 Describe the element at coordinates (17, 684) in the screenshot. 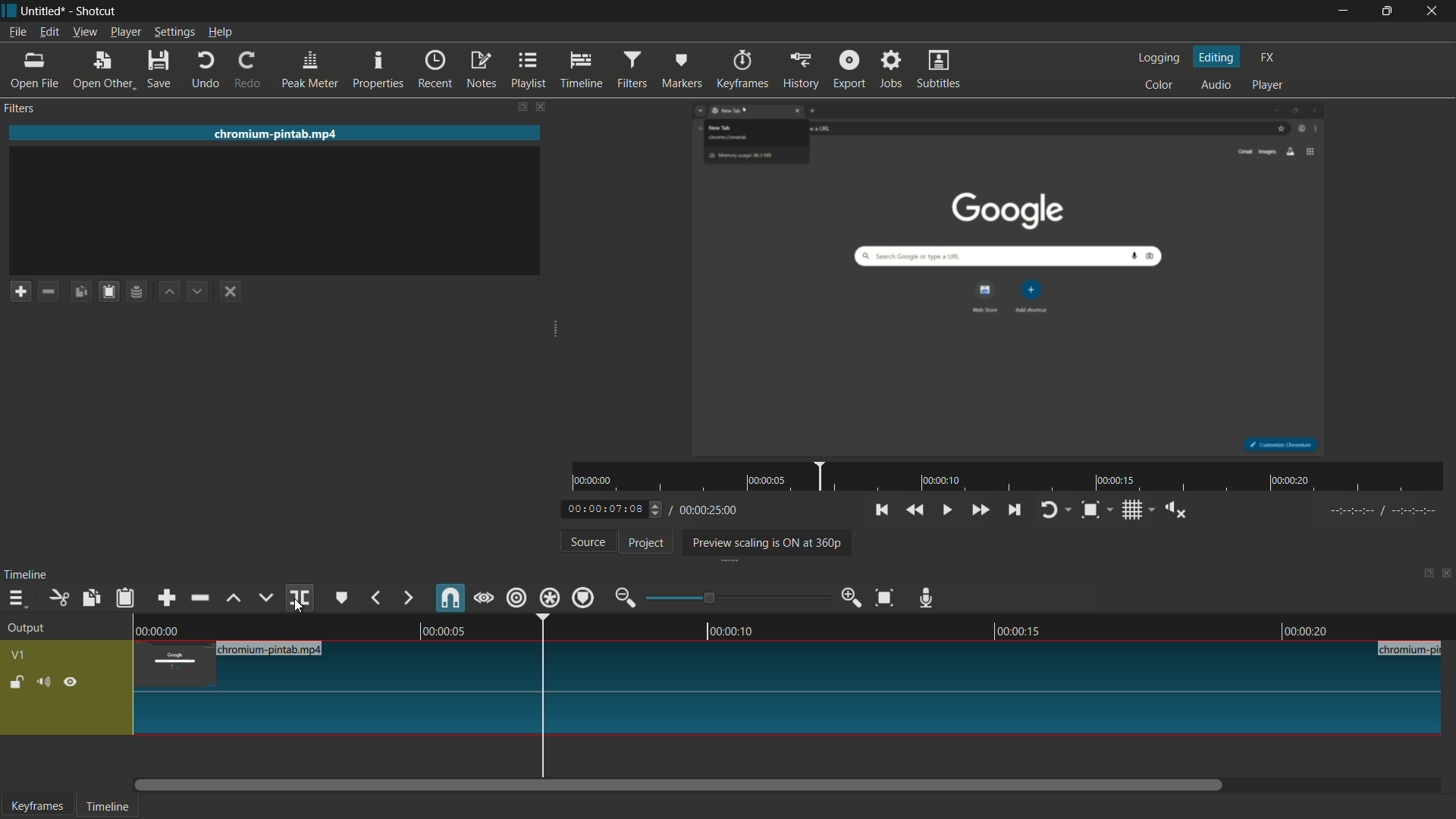

I see `lock` at that location.